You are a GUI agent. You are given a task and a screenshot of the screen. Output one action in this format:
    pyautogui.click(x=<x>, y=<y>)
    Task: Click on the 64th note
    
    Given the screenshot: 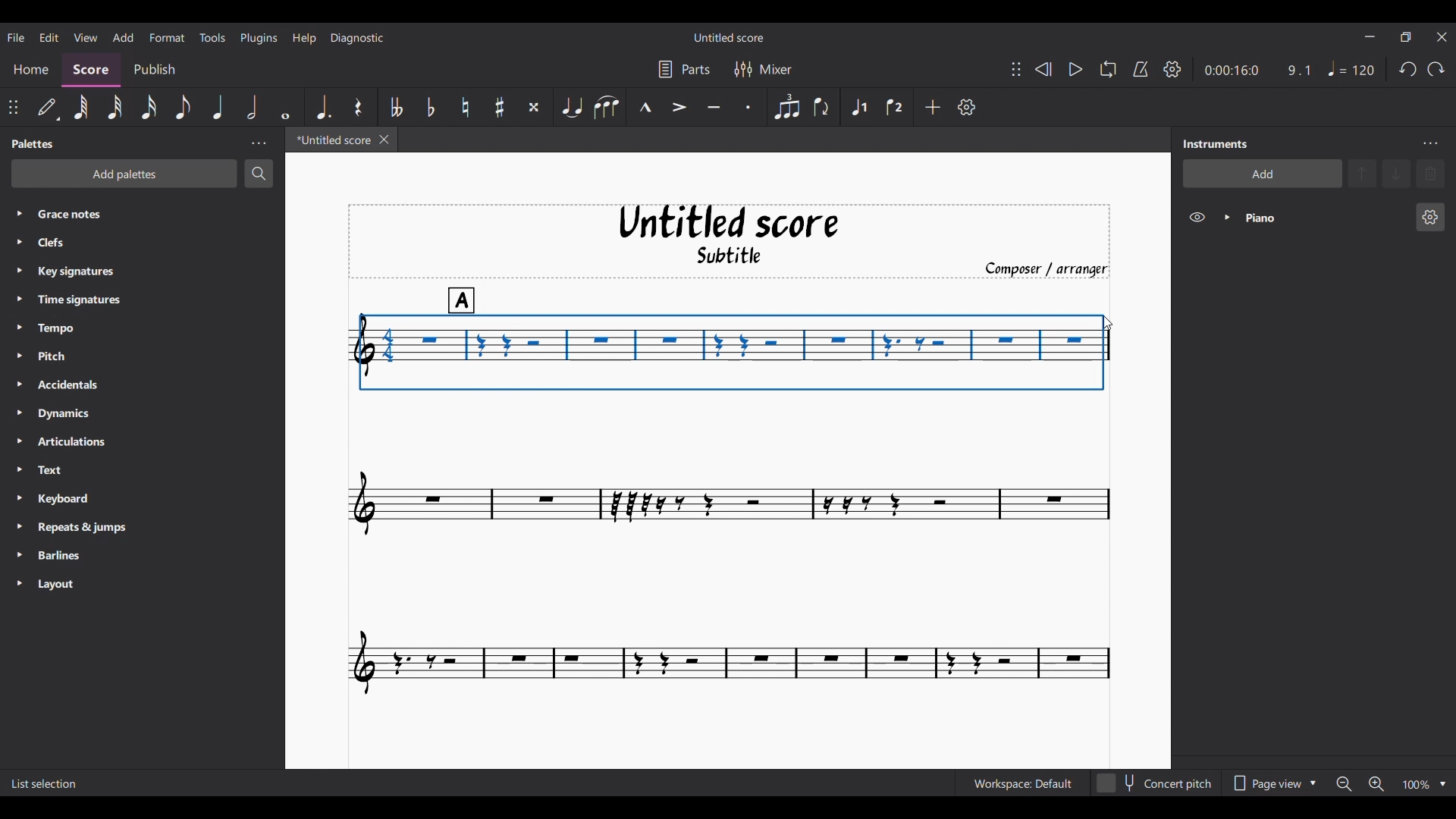 What is the action you would take?
    pyautogui.click(x=81, y=107)
    